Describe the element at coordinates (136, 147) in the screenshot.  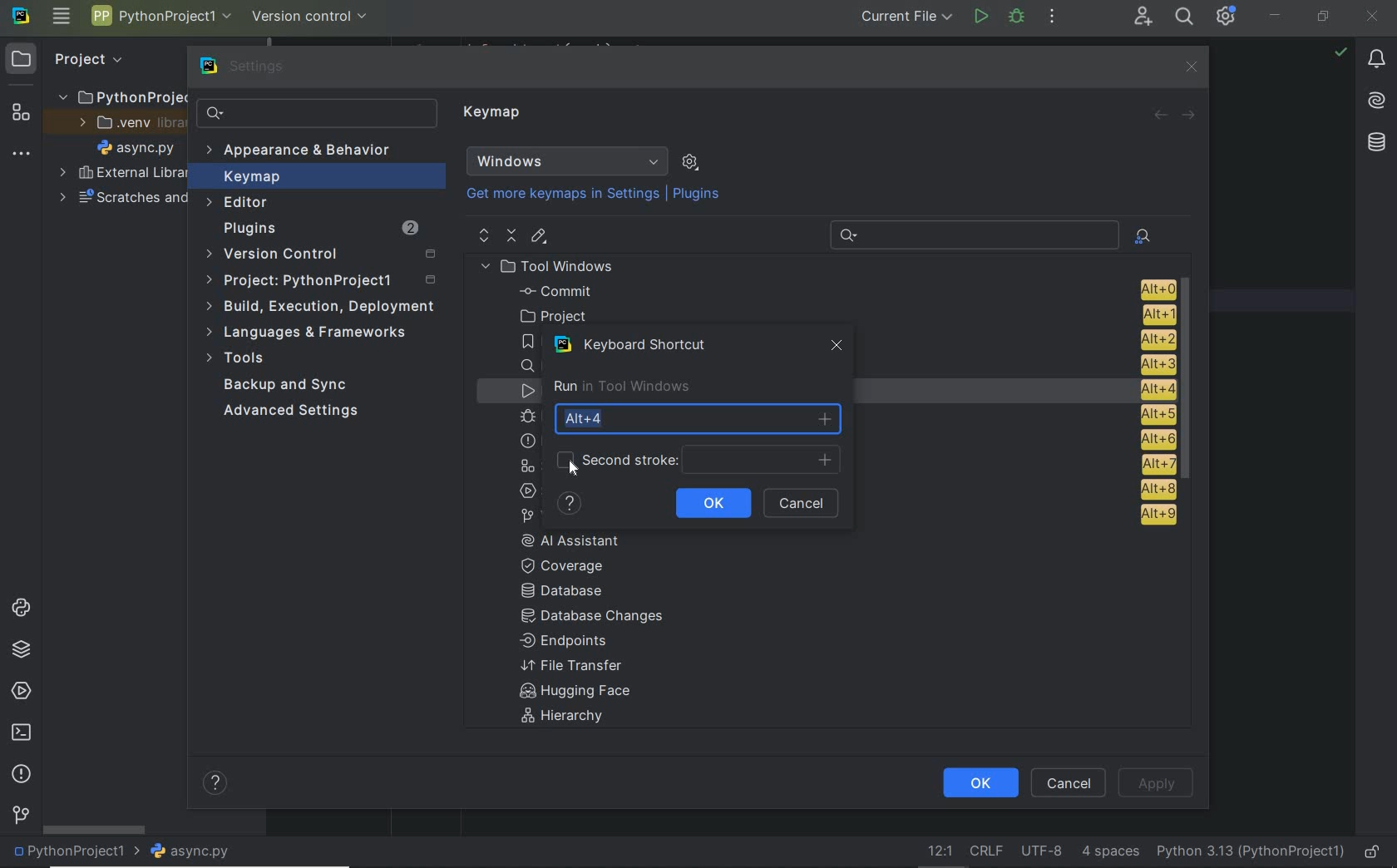
I see `file name` at that location.